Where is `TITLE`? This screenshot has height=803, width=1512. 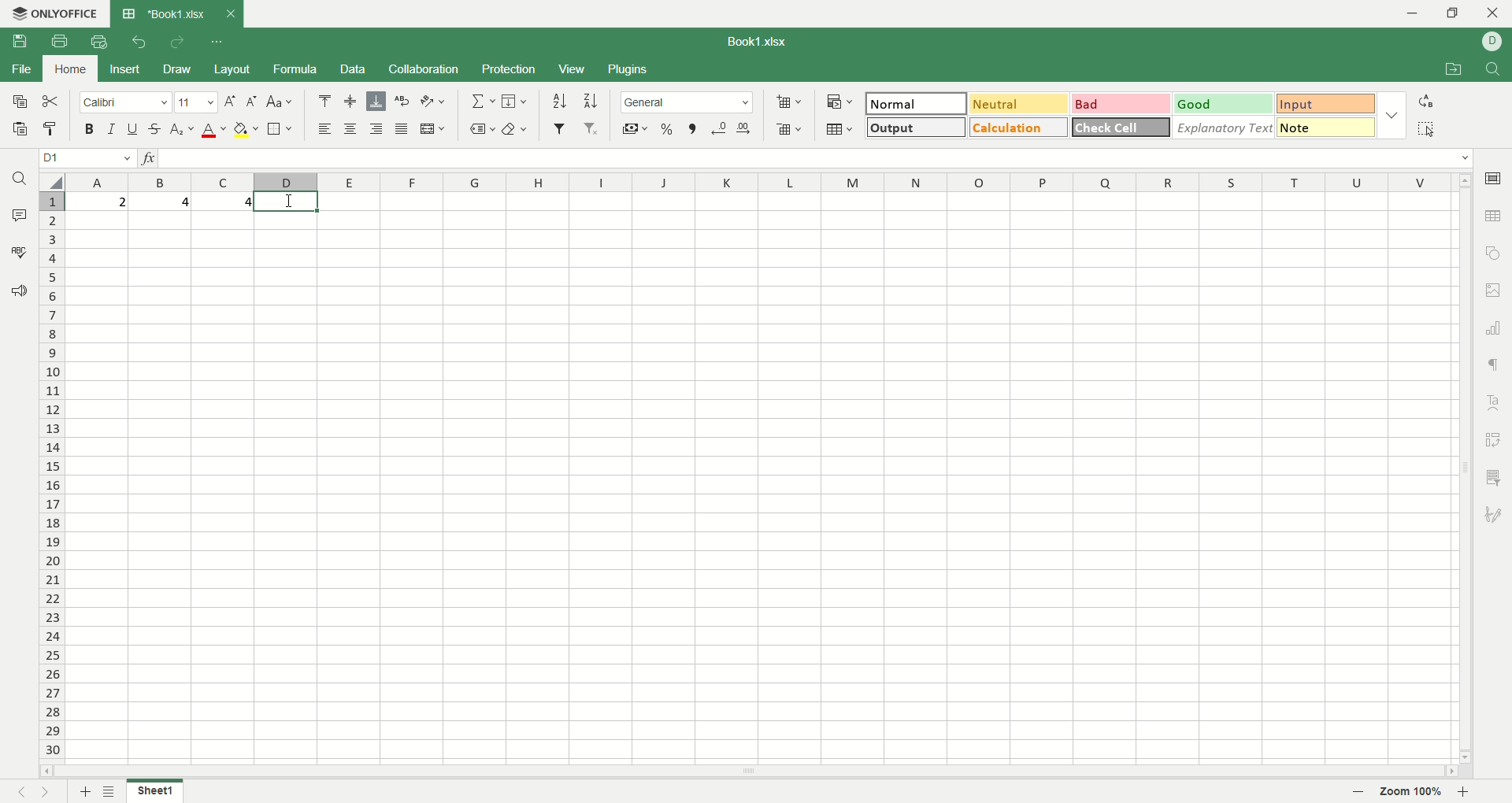
TITLE is located at coordinates (759, 39).